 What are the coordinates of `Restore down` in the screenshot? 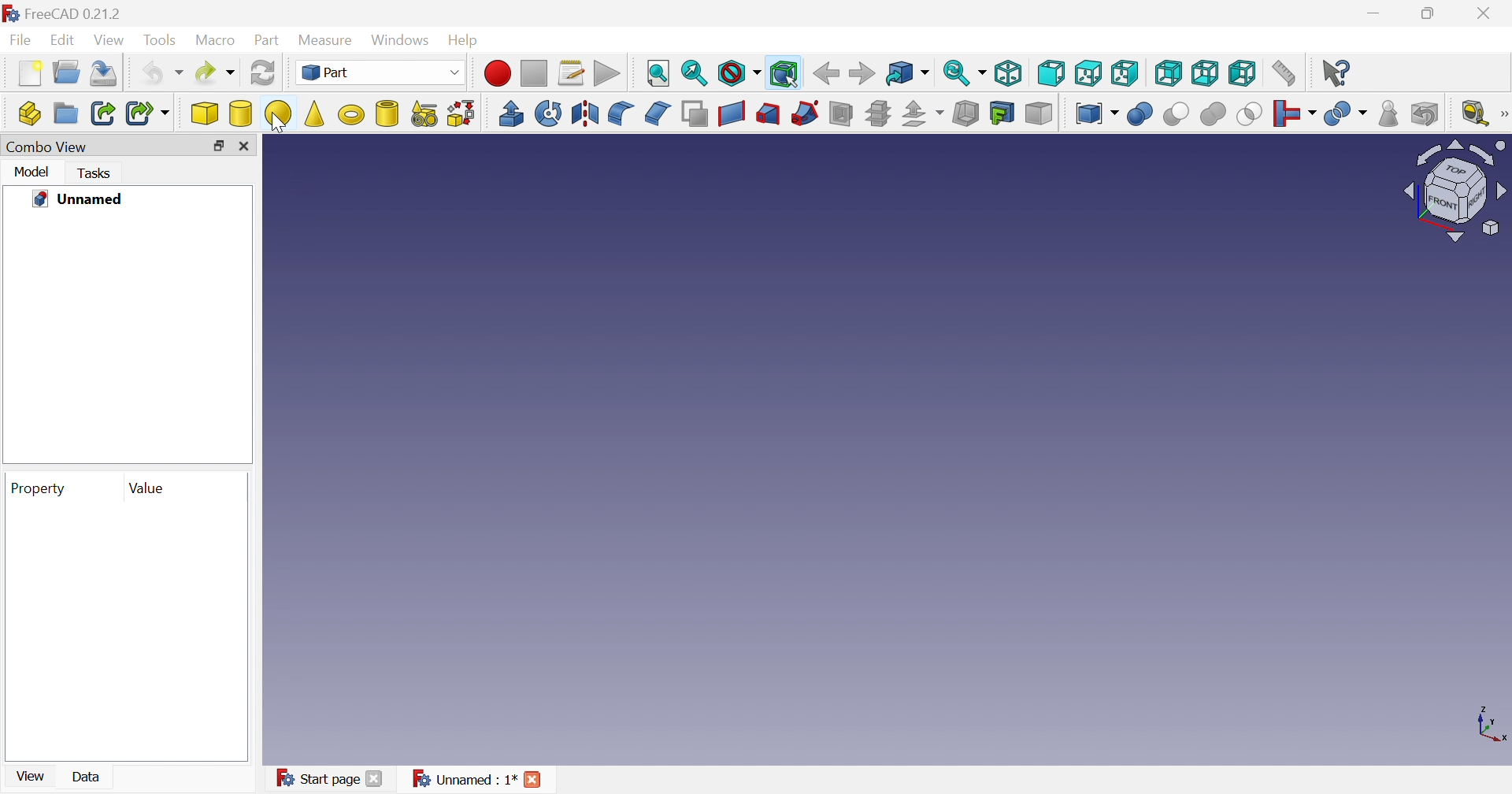 It's located at (1430, 16).